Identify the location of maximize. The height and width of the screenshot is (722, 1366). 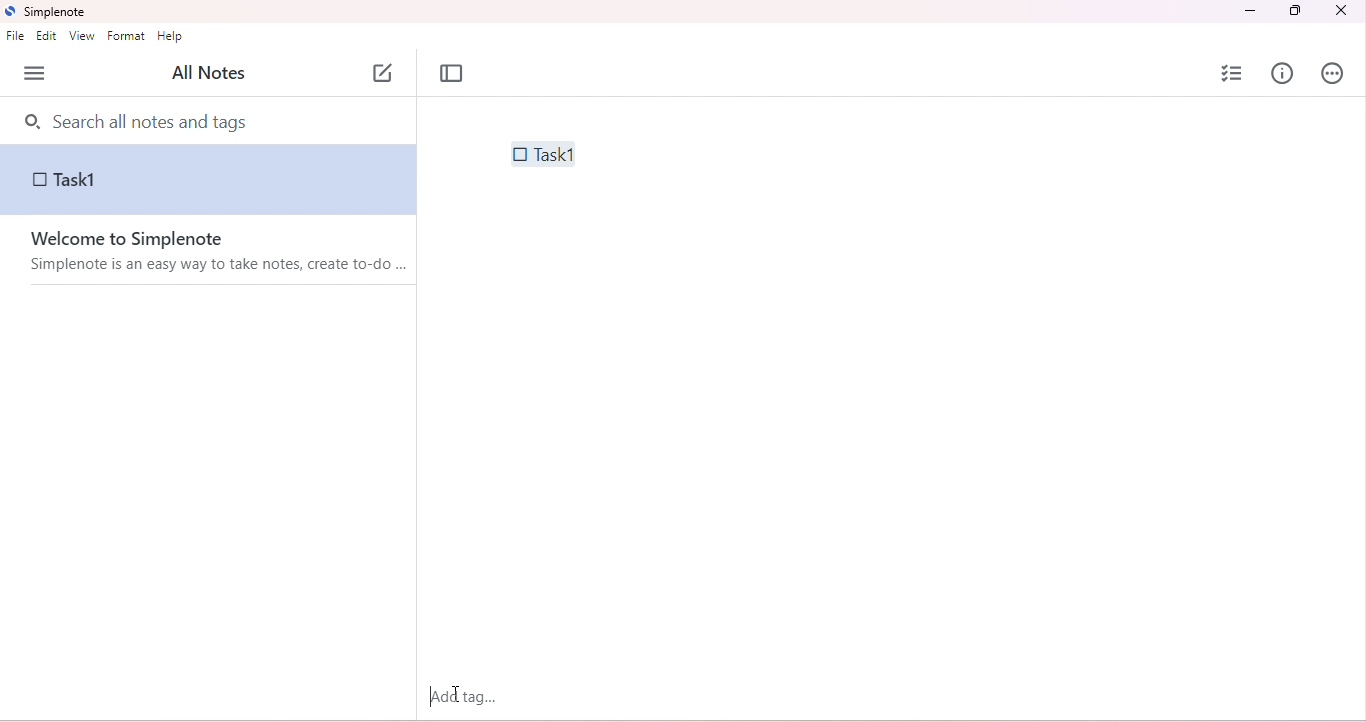
(1293, 11).